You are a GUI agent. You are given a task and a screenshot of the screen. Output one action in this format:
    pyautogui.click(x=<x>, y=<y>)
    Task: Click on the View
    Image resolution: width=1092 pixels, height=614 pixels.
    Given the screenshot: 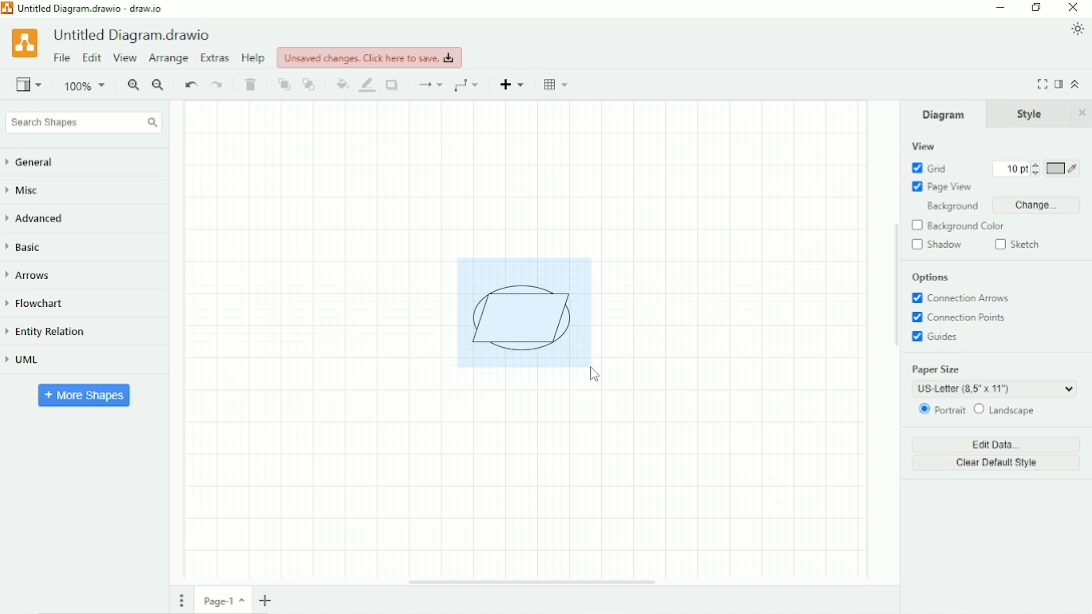 What is the action you would take?
    pyautogui.click(x=923, y=146)
    